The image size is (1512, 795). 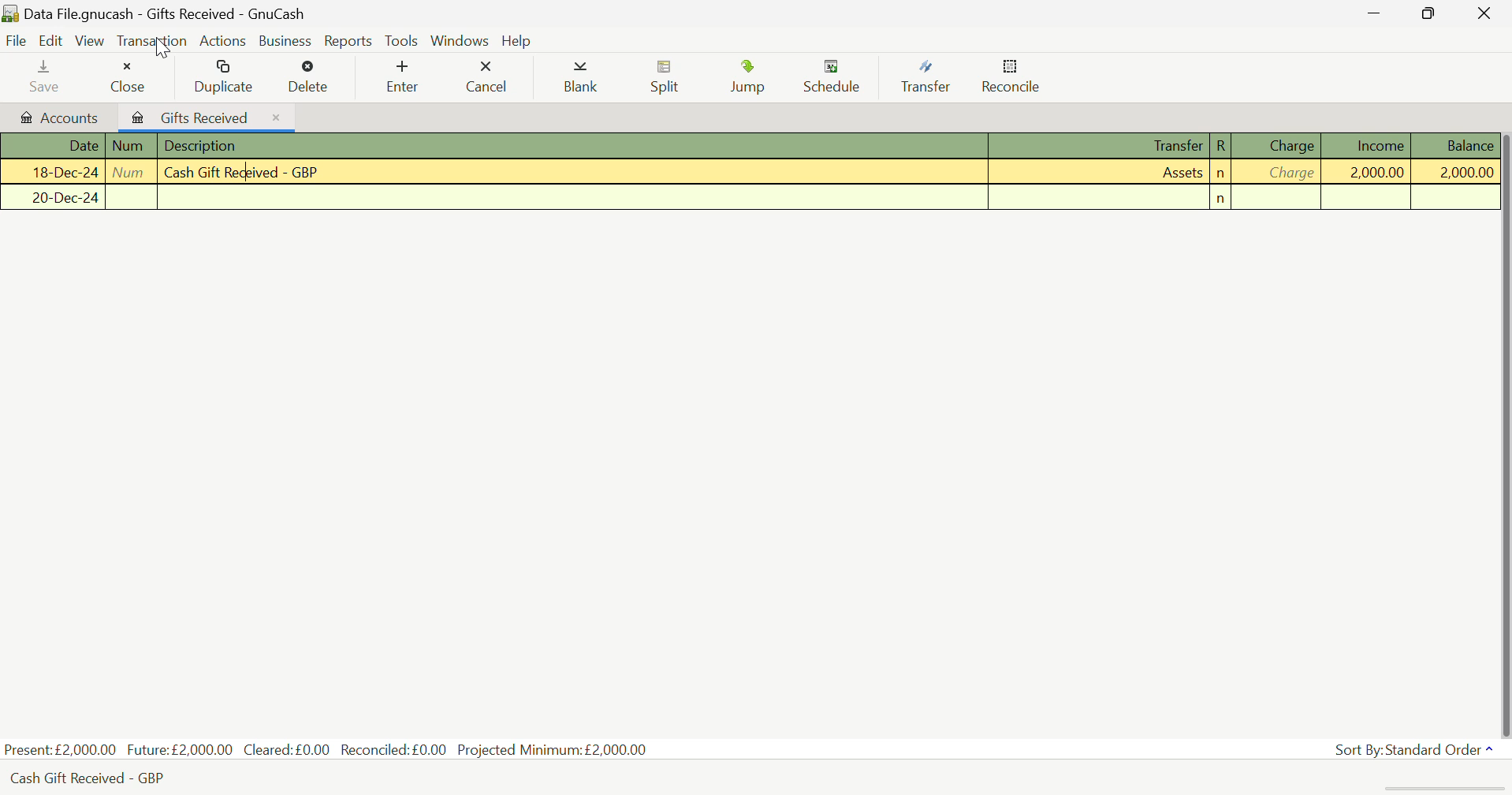 What do you see at coordinates (1488, 12) in the screenshot?
I see `Close Window` at bounding box center [1488, 12].